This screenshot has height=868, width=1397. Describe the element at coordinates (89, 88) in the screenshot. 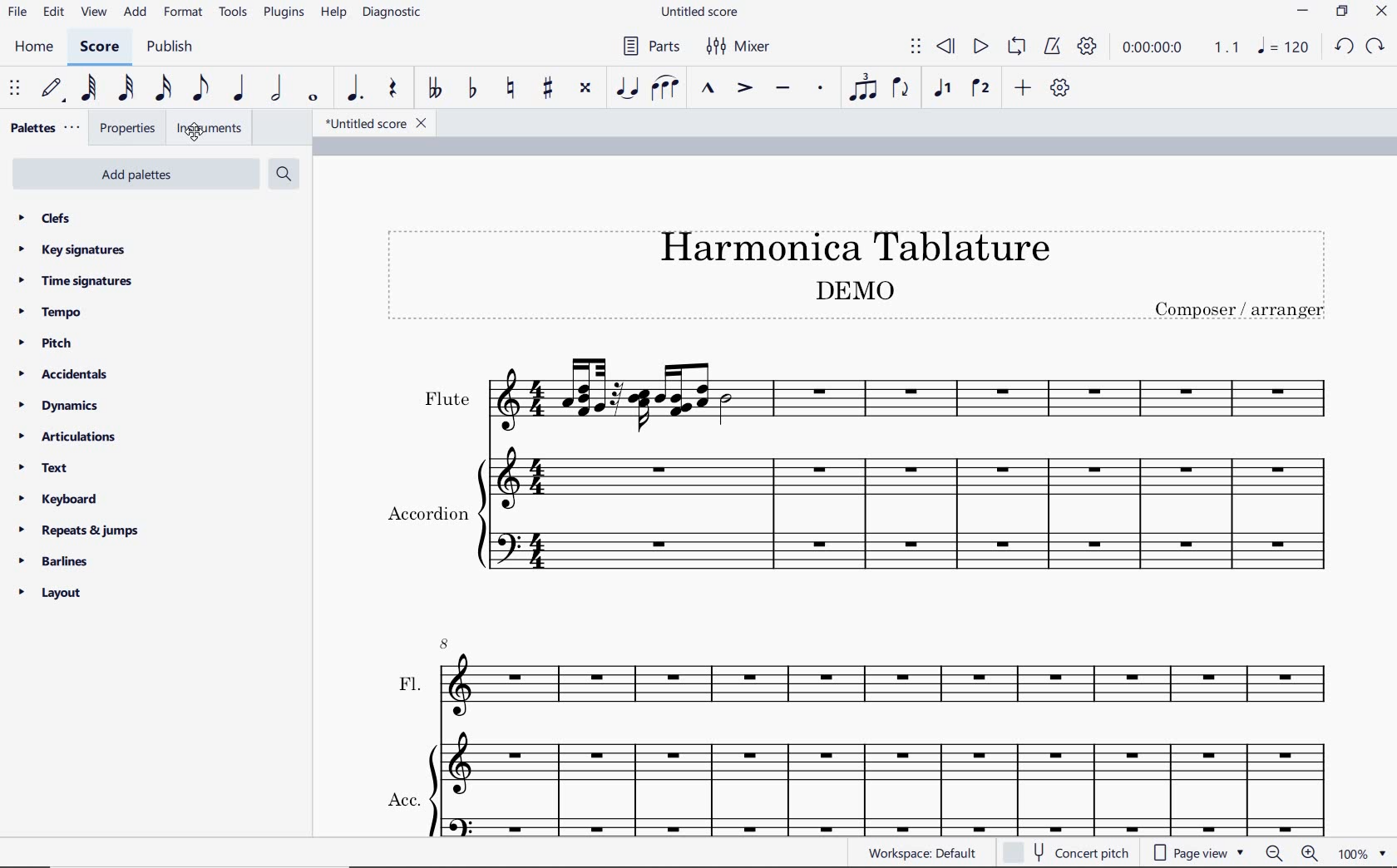

I see `64th note` at that location.